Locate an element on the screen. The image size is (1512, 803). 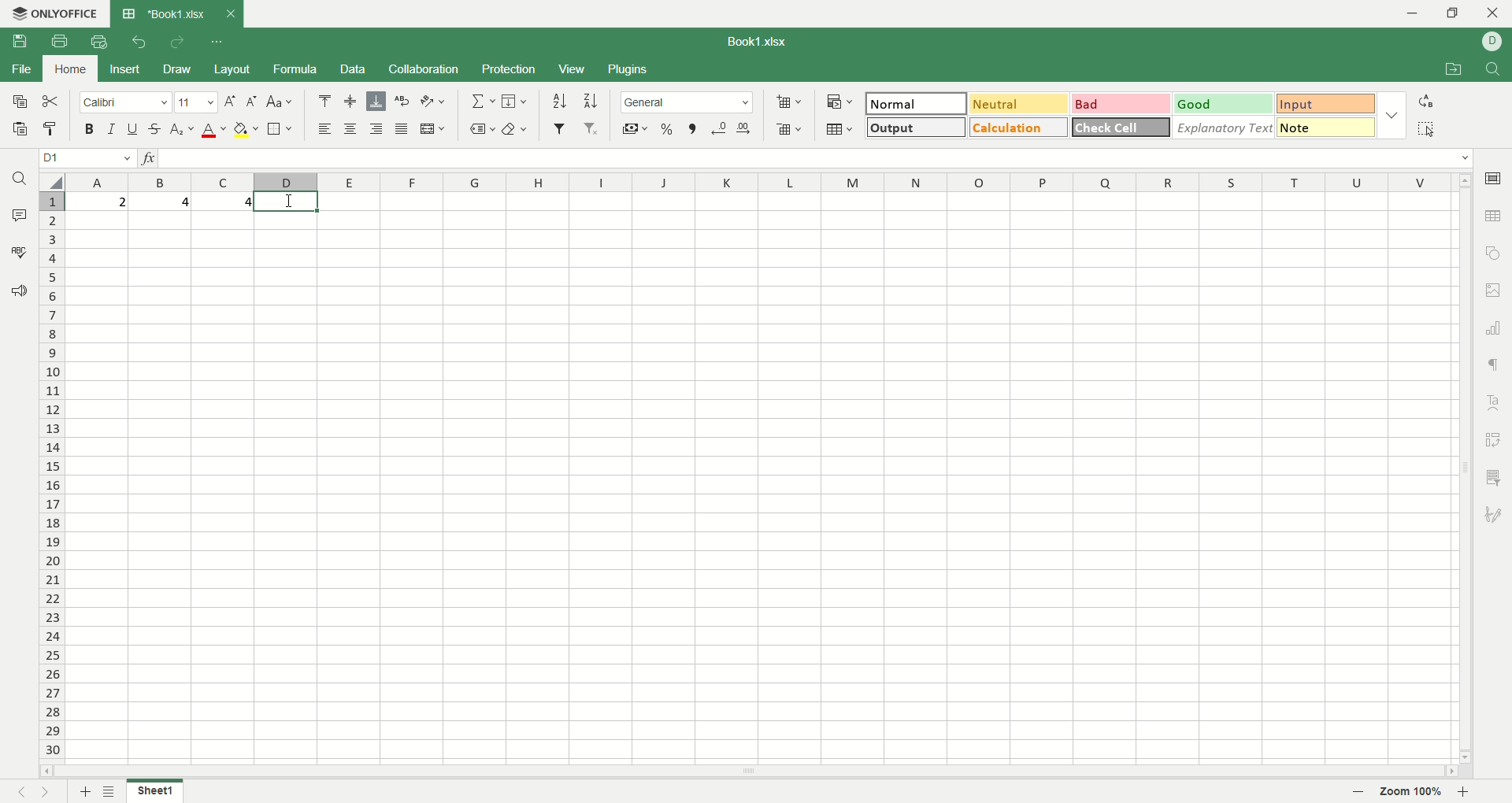
explanatory text is located at coordinates (1225, 127).